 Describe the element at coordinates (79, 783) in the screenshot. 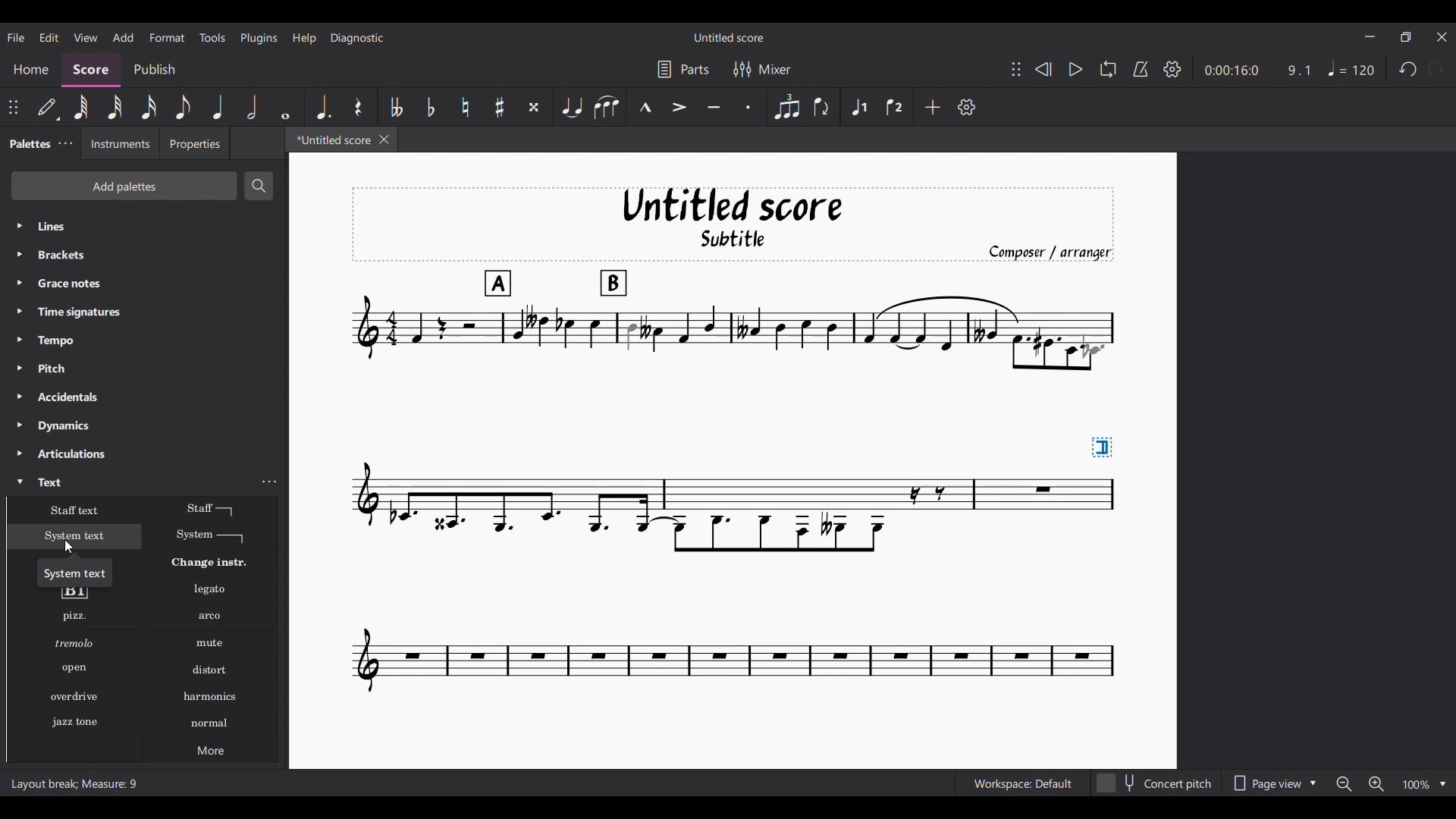

I see `Layout break; Measure: 9` at that location.